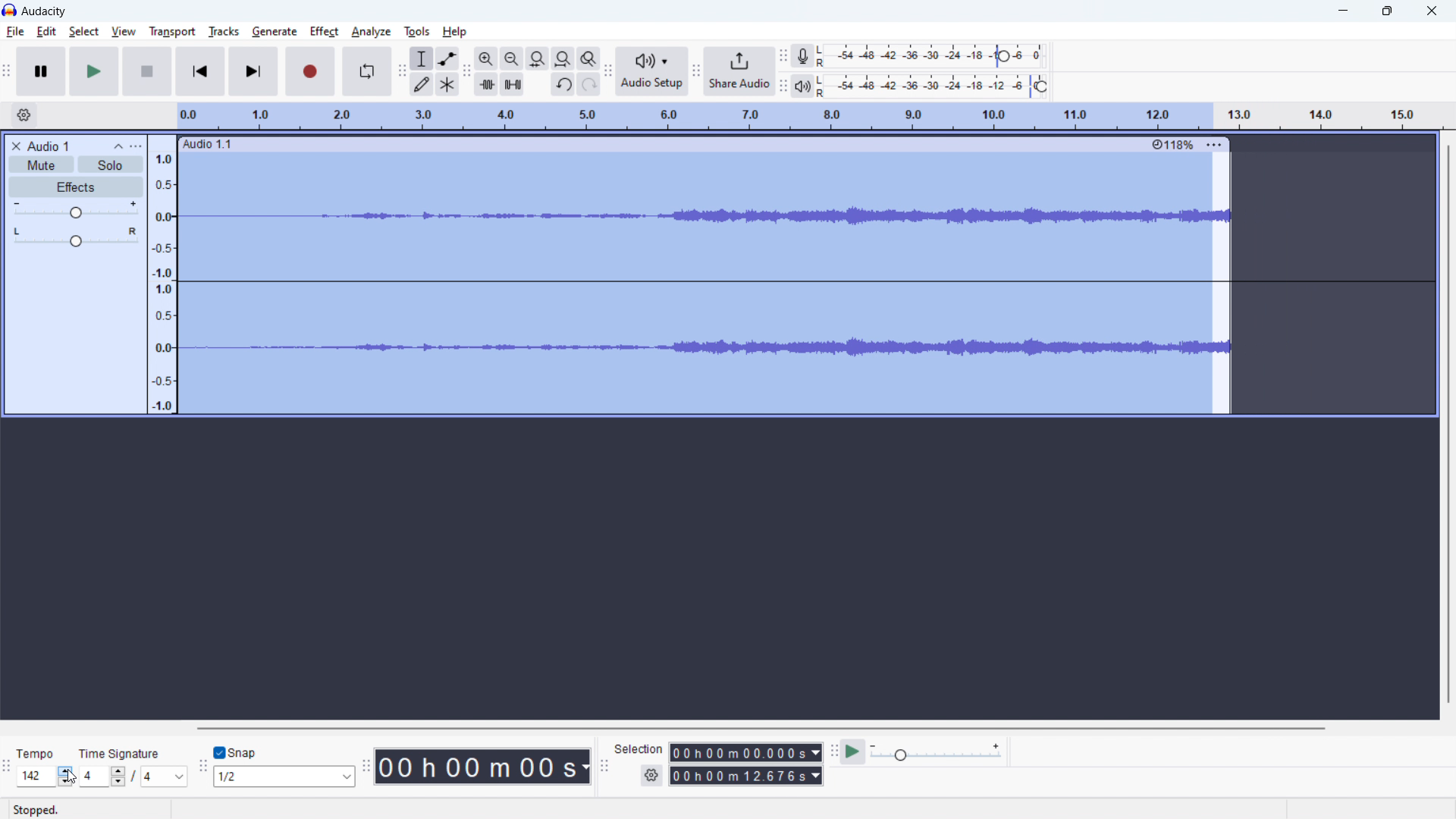 Image resolution: width=1456 pixels, height=819 pixels. Describe the element at coordinates (37, 808) in the screenshot. I see `Stopped` at that location.